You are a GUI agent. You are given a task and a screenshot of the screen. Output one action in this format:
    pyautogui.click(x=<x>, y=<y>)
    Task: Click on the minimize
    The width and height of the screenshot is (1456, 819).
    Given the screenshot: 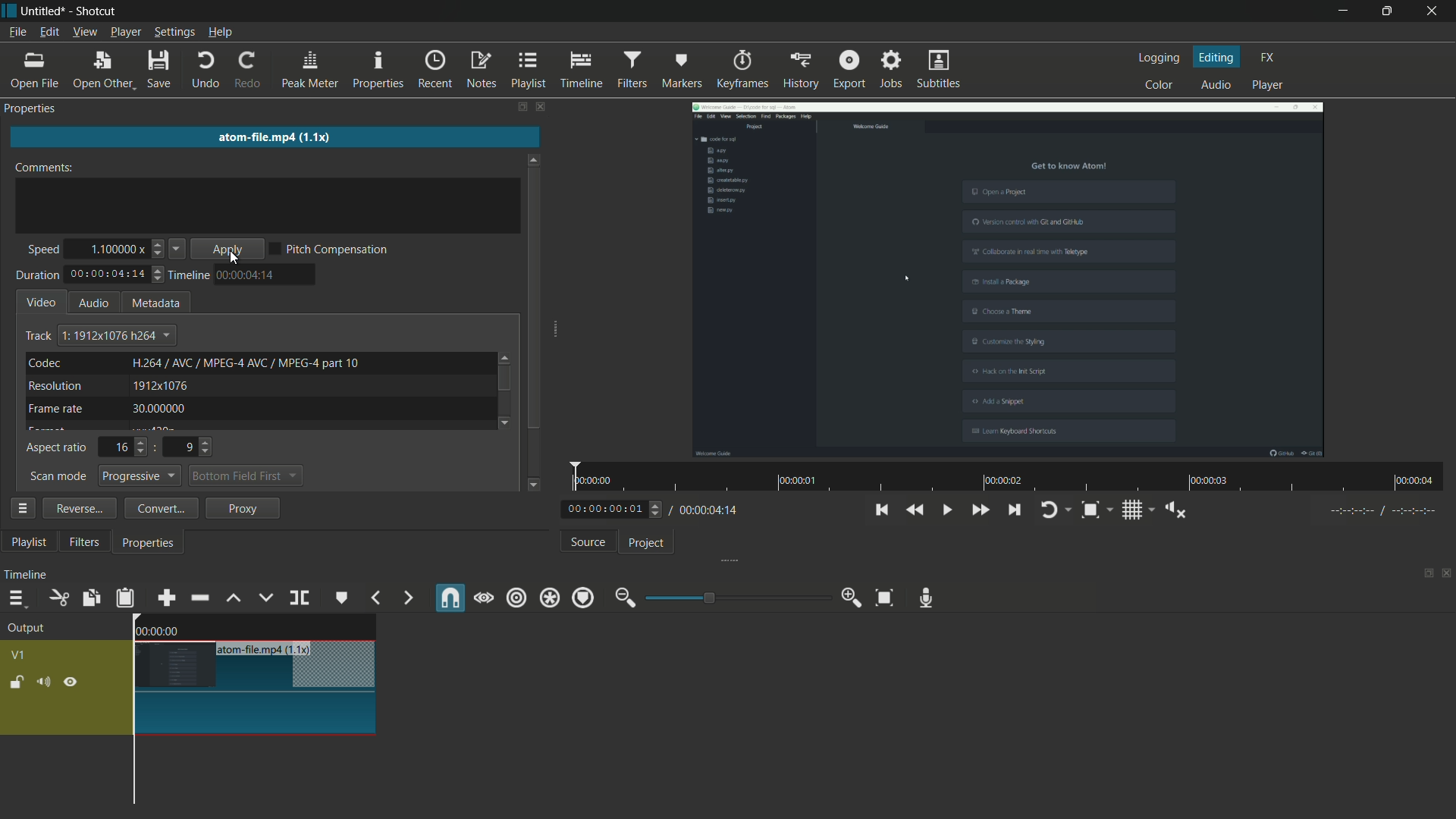 What is the action you would take?
    pyautogui.click(x=1341, y=11)
    